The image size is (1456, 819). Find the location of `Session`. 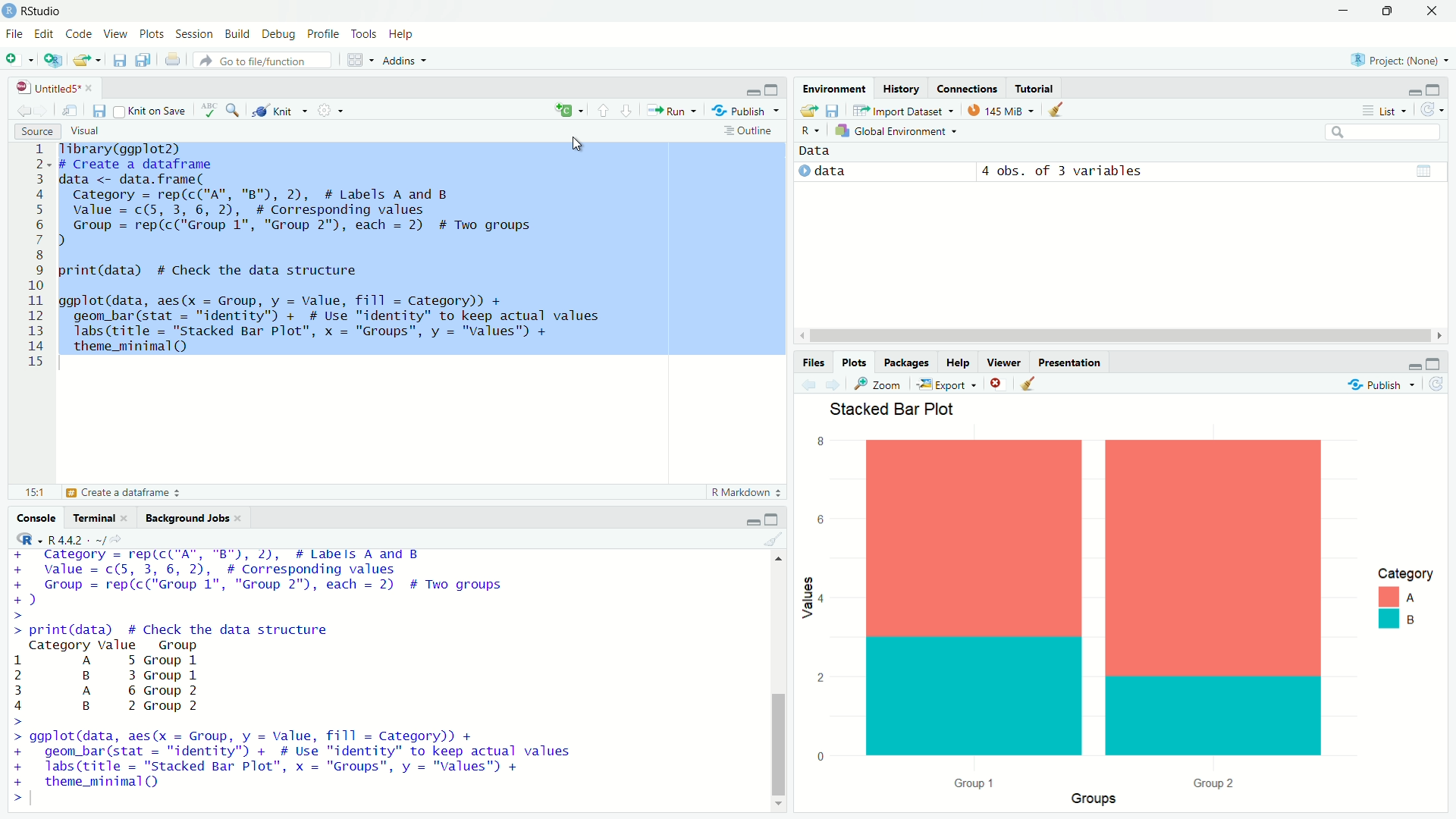

Session is located at coordinates (196, 34).